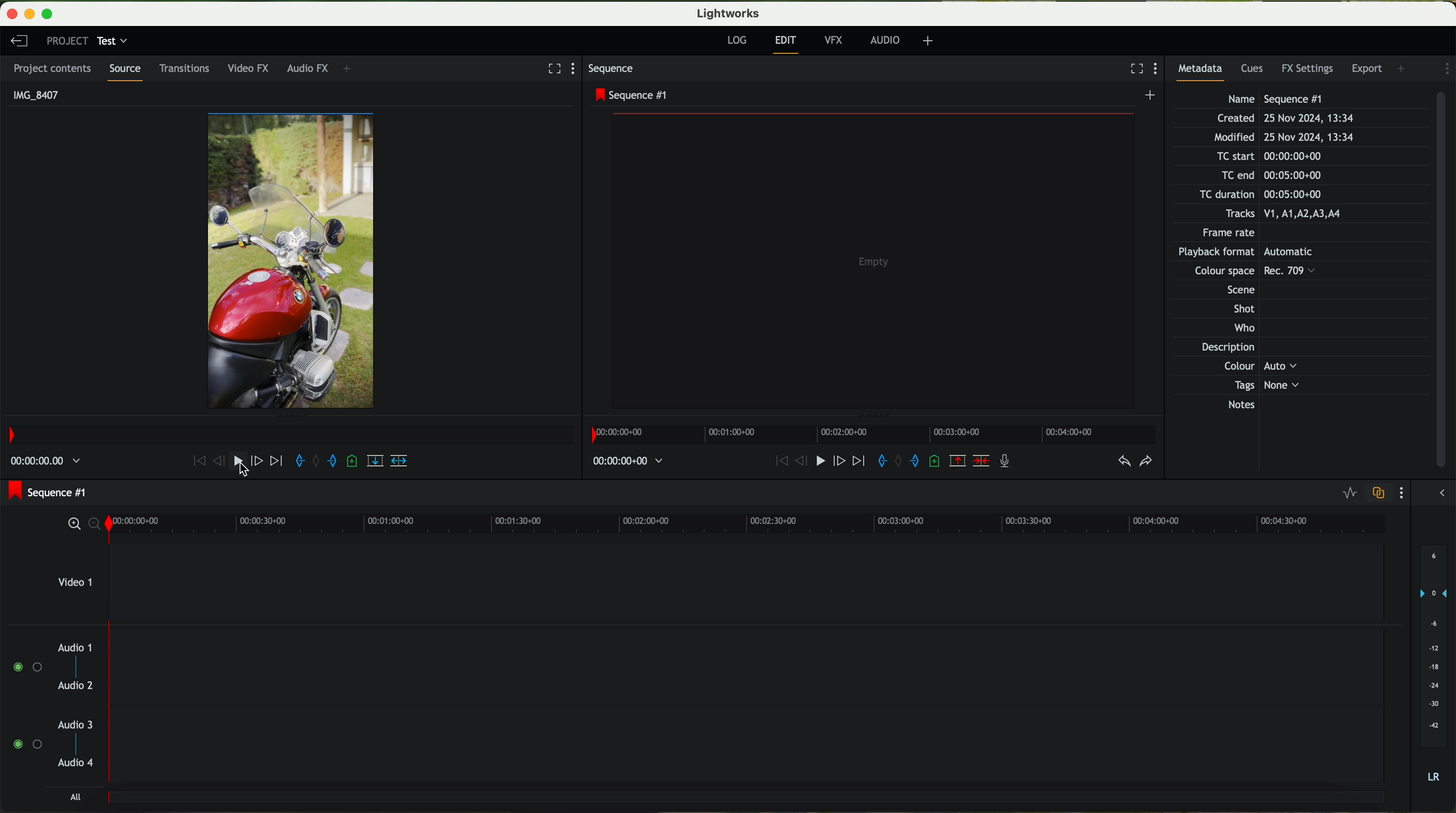 Image resolution: width=1456 pixels, height=813 pixels. Describe the element at coordinates (1123, 461) in the screenshot. I see `undo` at that location.